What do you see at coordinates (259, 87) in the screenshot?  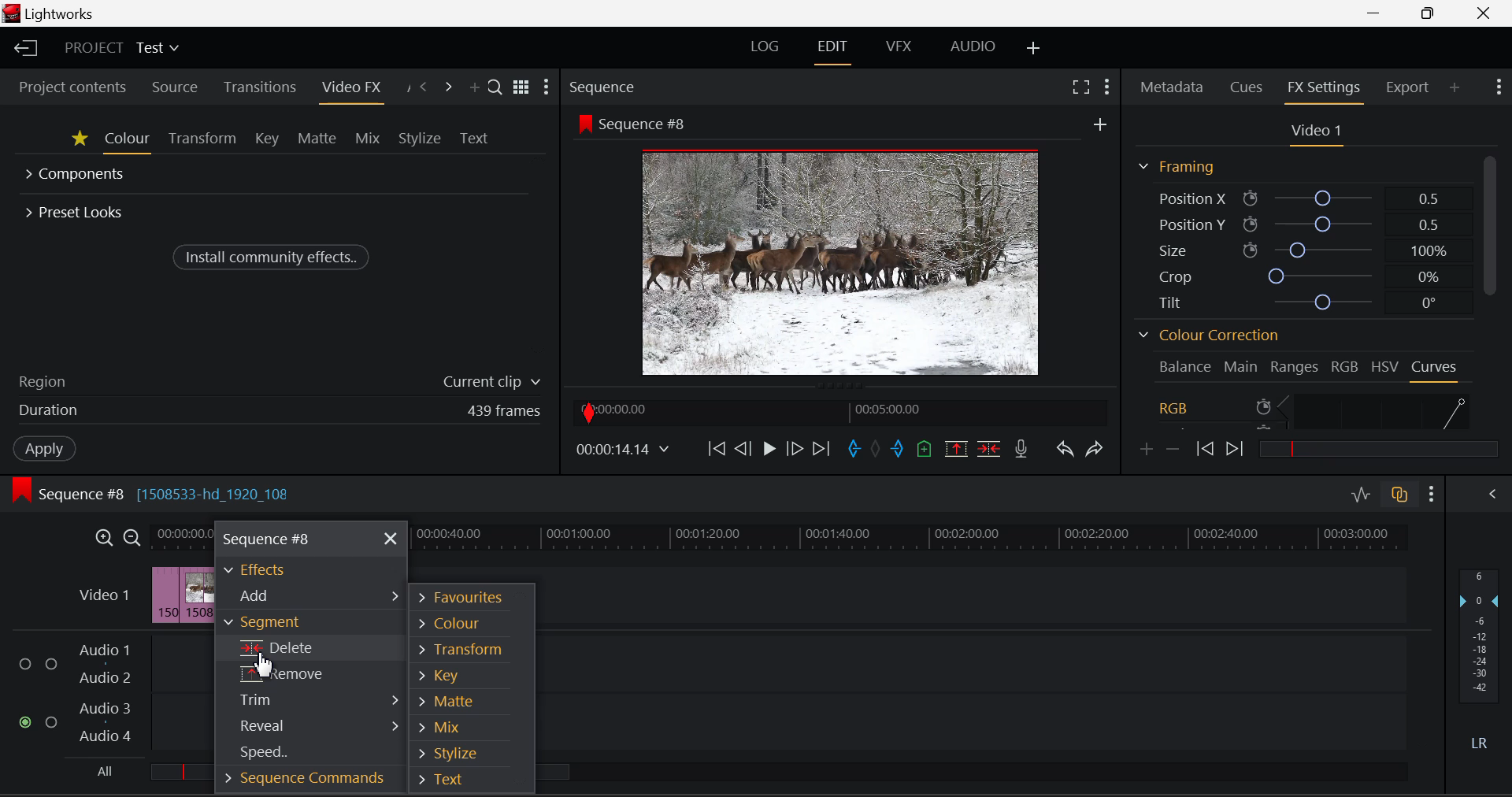 I see `Transitions` at bounding box center [259, 87].